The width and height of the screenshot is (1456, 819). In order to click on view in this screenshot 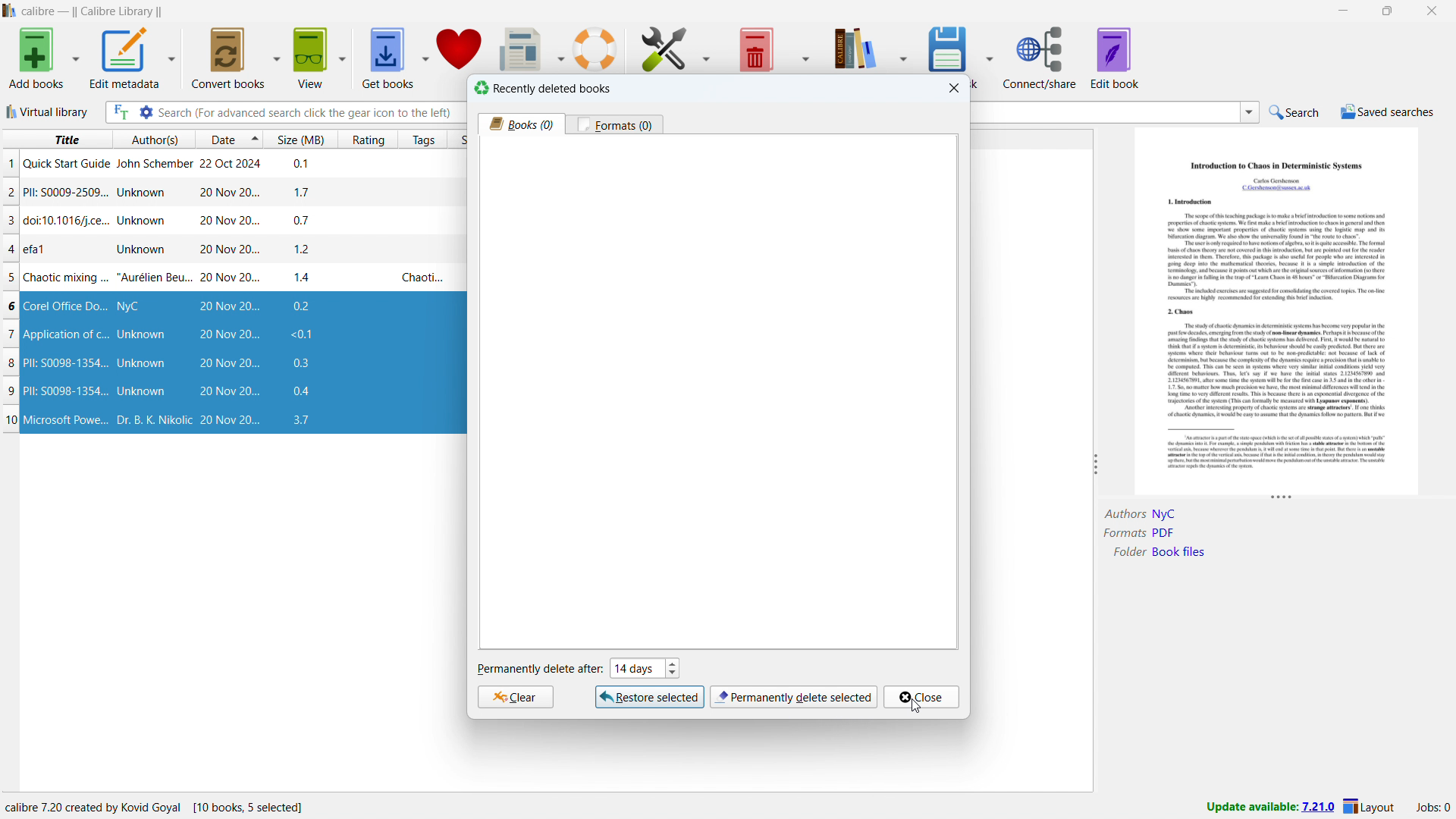, I will do `click(312, 58)`.